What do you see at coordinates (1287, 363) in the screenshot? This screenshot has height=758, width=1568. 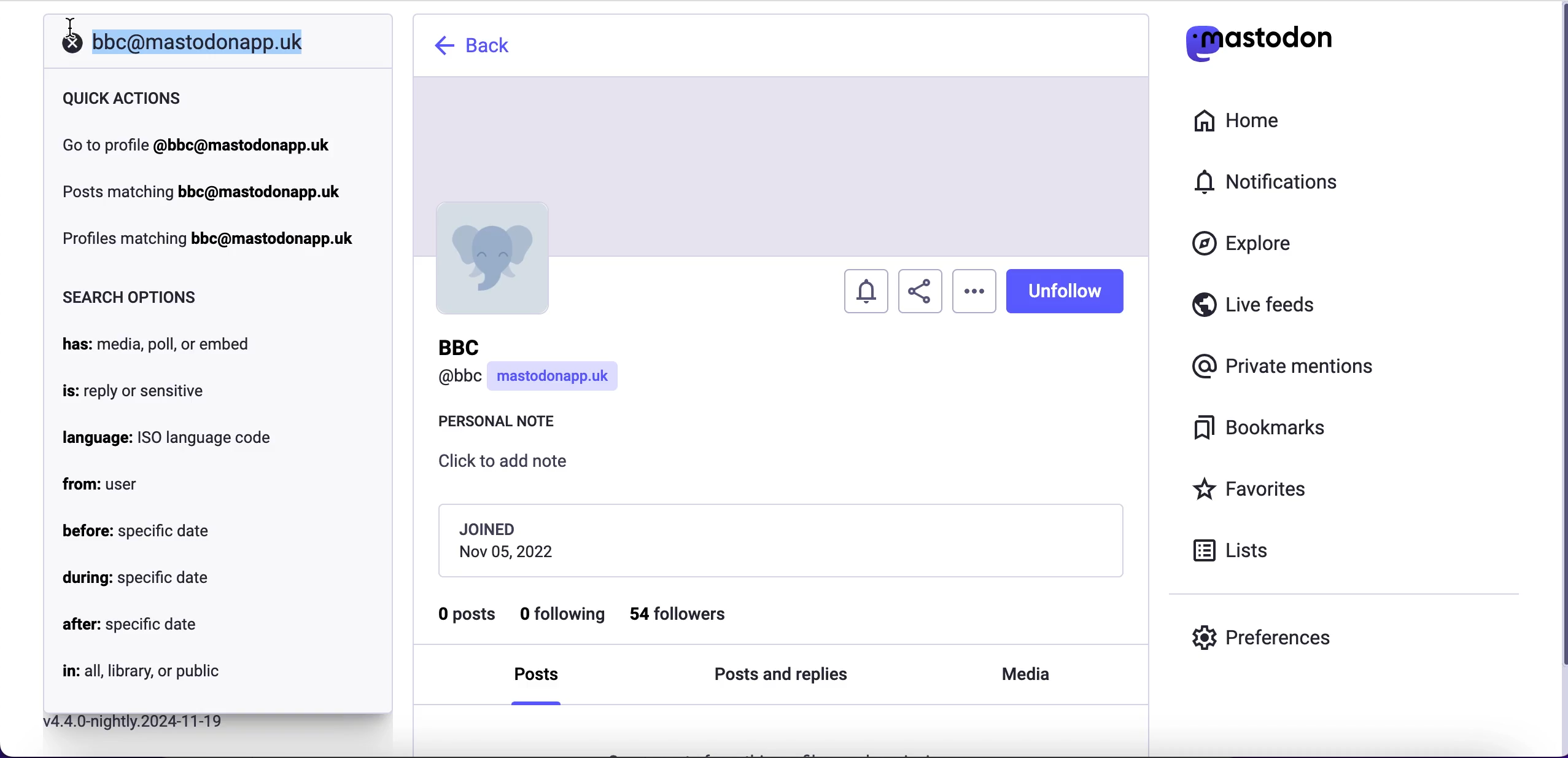 I see `private mentions` at bounding box center [1287, 363].